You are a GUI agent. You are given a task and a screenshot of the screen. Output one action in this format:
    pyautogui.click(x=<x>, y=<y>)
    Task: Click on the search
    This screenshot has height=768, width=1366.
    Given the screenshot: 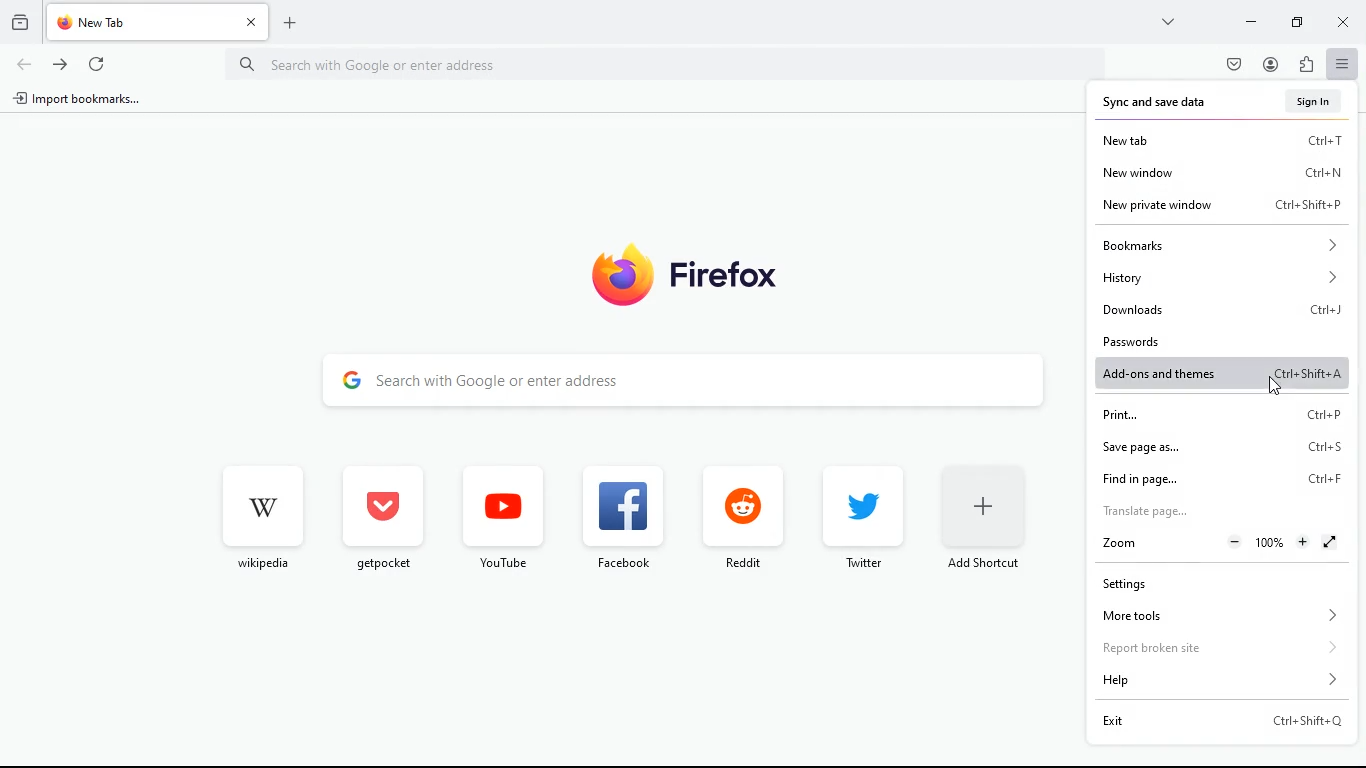 What is the action you would take?
    pyautogui.click(x=696, y=387)
    